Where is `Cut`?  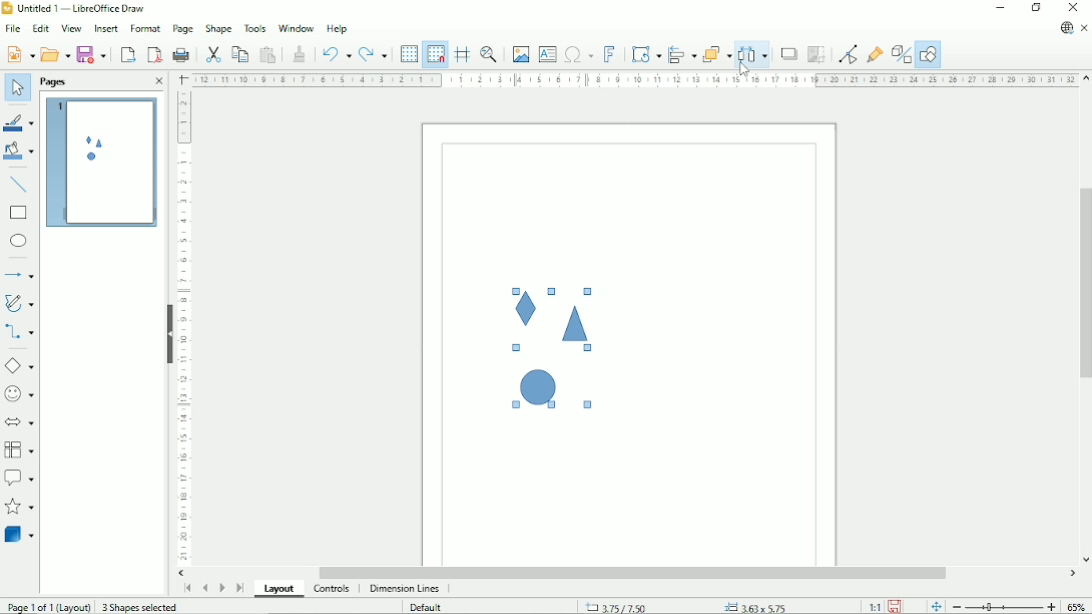 Cut is located at coordinates (212, 53).